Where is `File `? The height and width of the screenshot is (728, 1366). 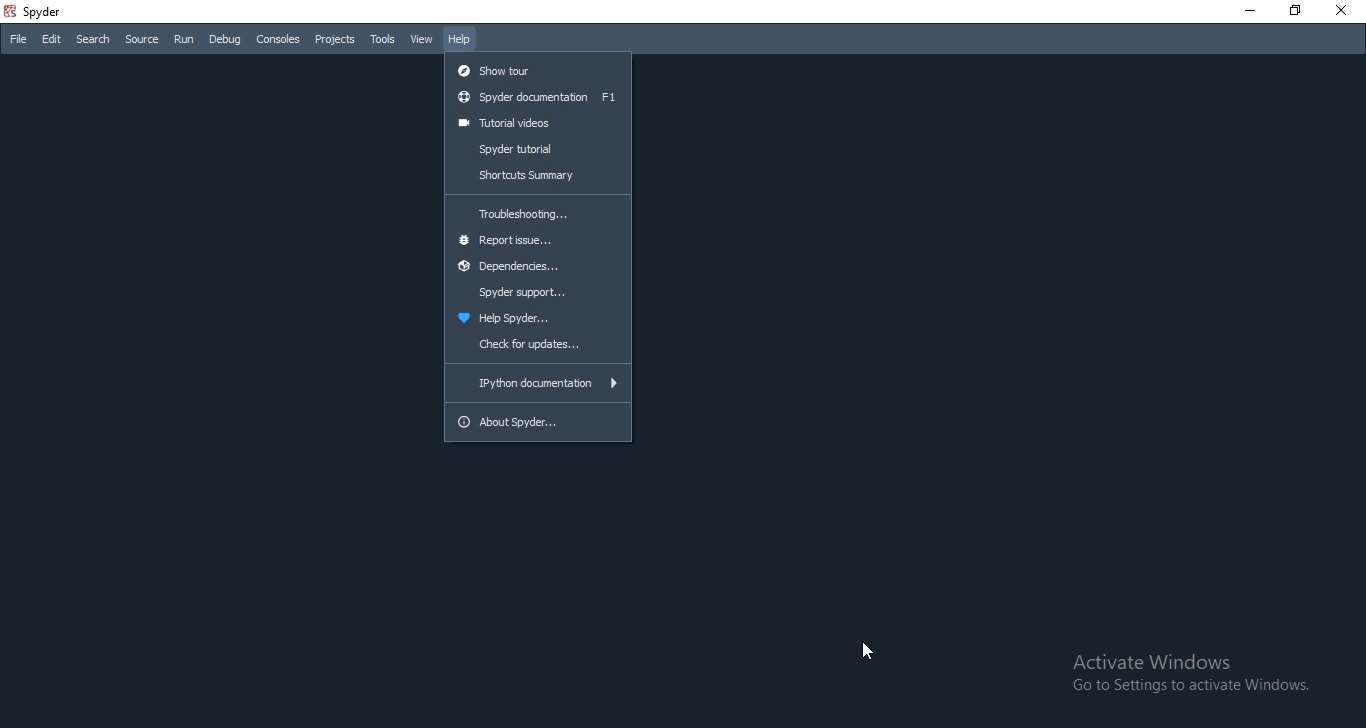 File  is located at coordinates (16, 39).